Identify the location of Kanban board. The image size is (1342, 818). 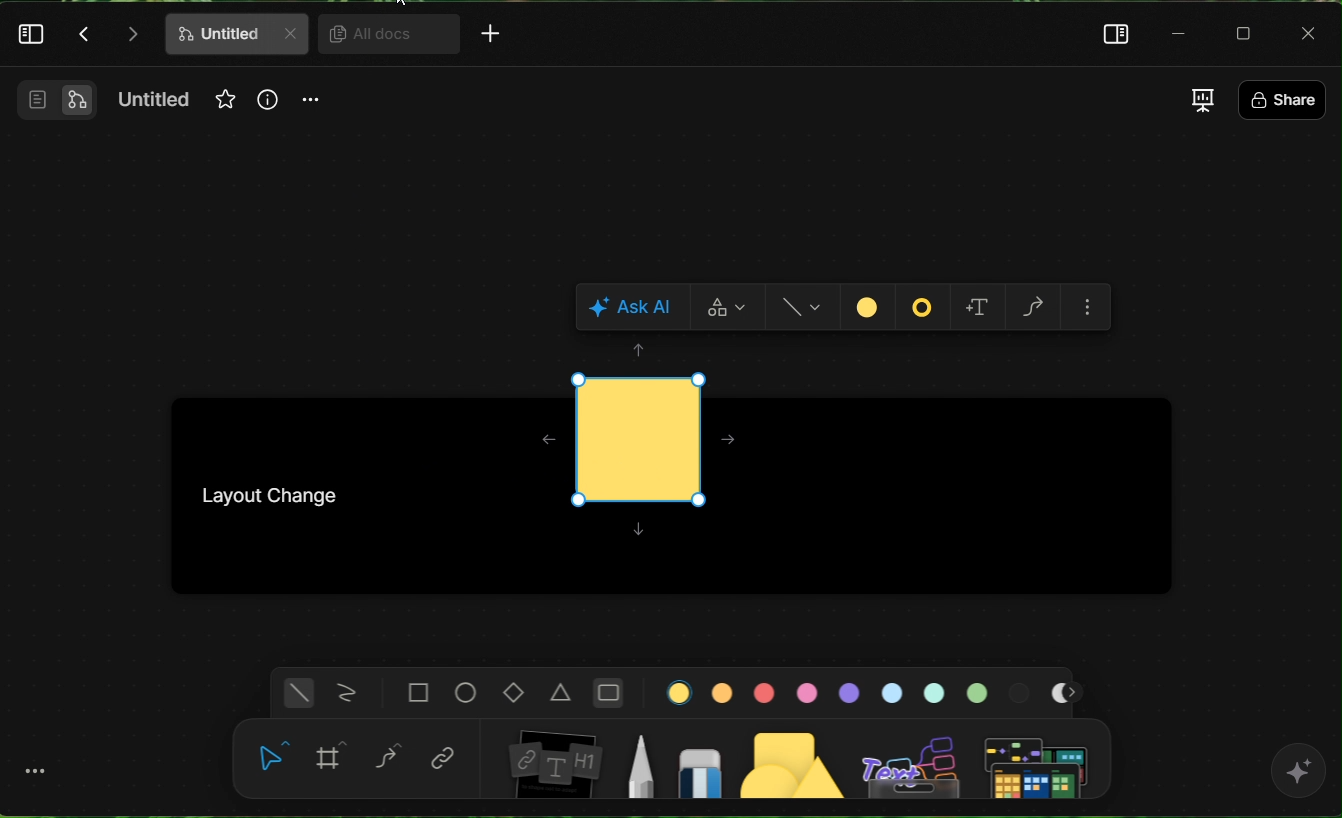
(297, 491).